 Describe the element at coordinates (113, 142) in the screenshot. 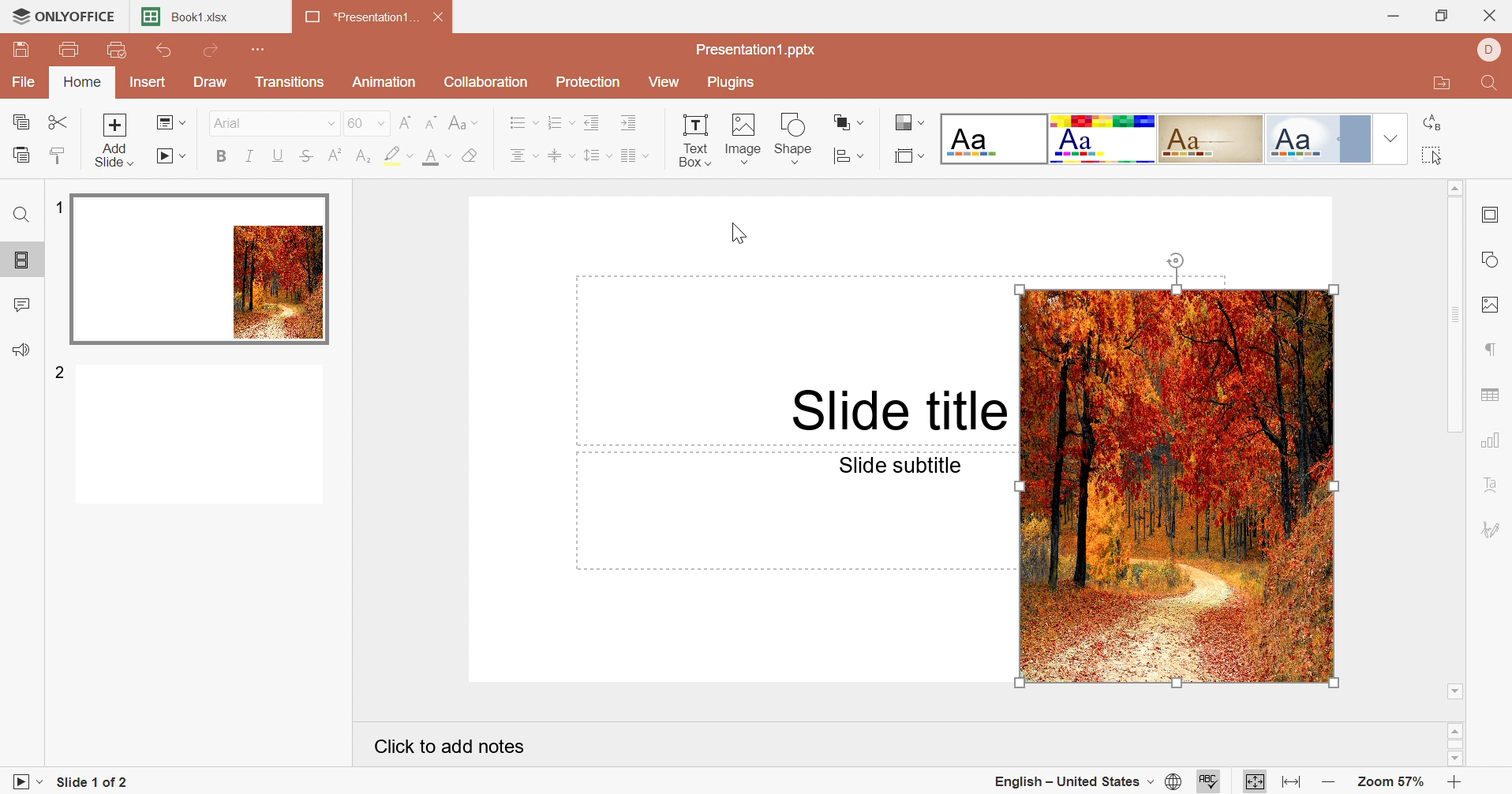

I see `Add slide` at that location.